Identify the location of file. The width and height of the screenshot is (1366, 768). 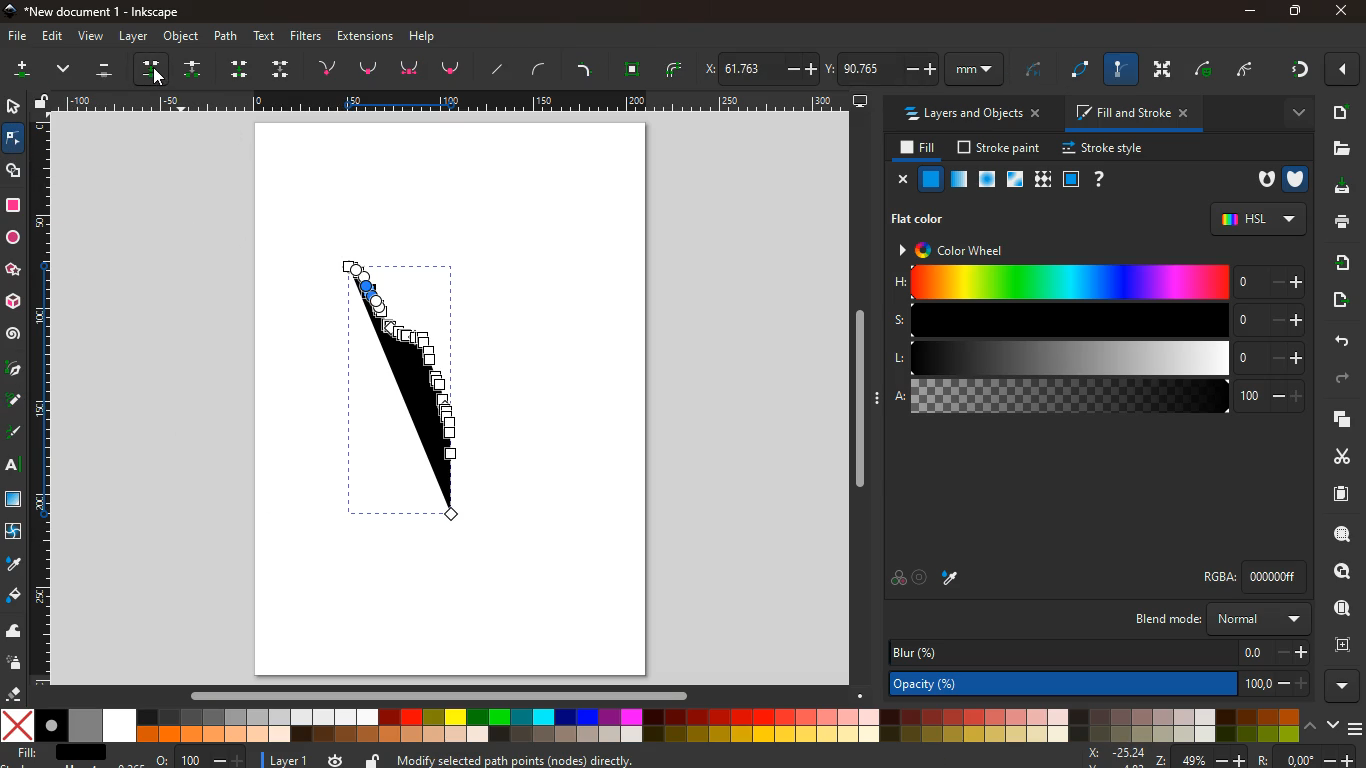
(16, 37).